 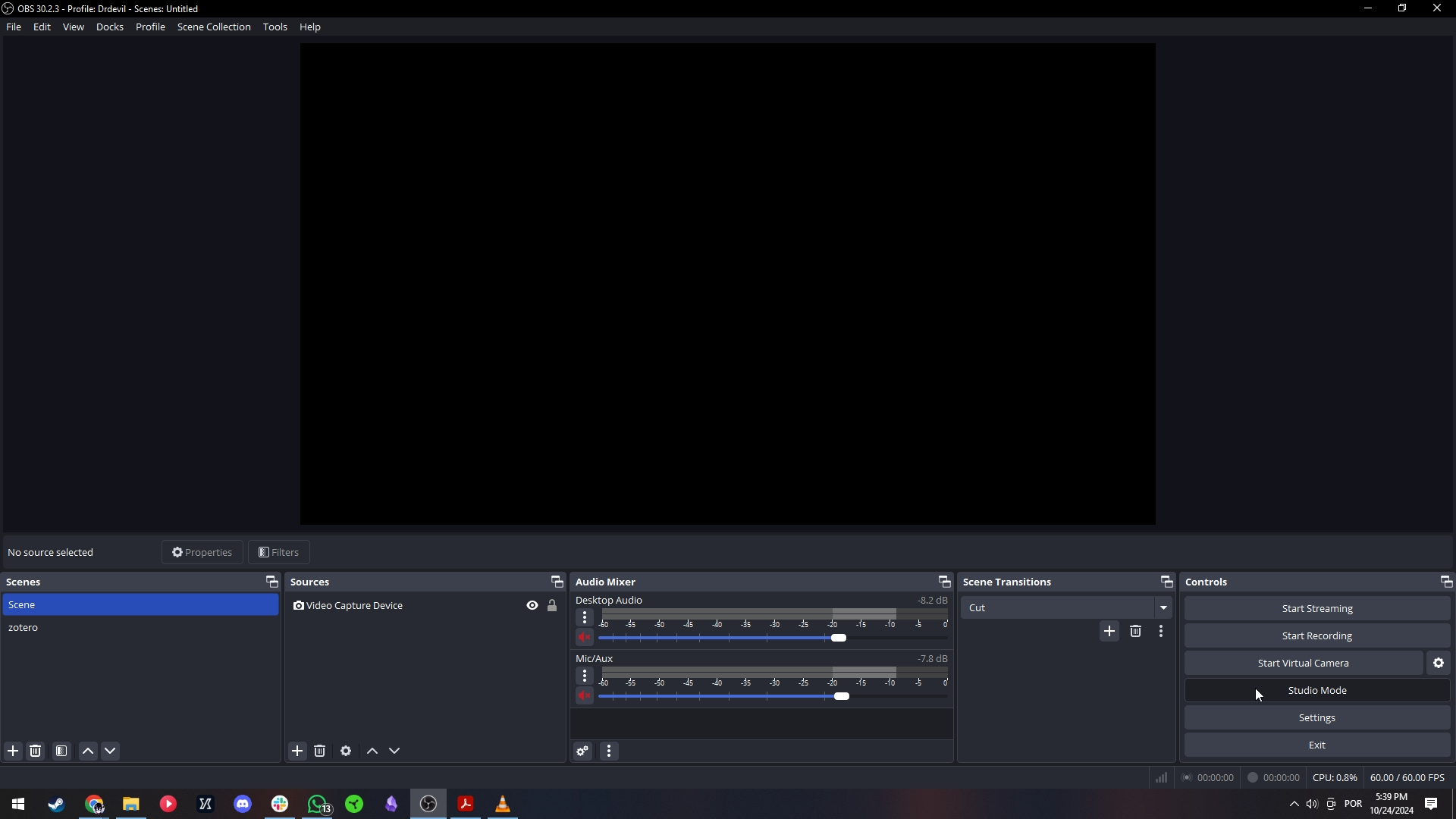 What do you see at coordinates (155, 27) in the screenshot?
I see `Profile` at bounding box center [155, 27].